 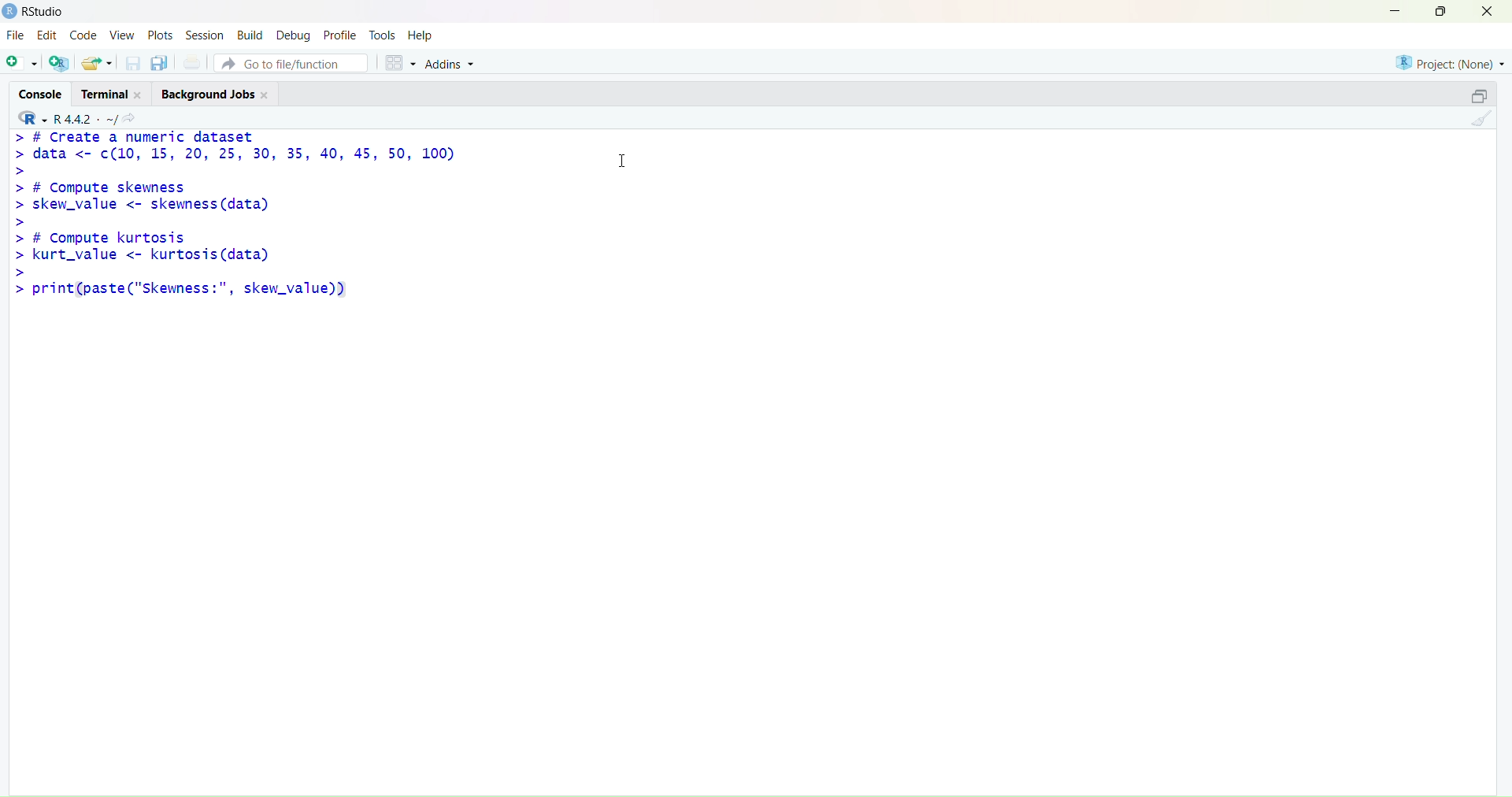 I want to click on Background Jobs, so click(x=218, y=94).